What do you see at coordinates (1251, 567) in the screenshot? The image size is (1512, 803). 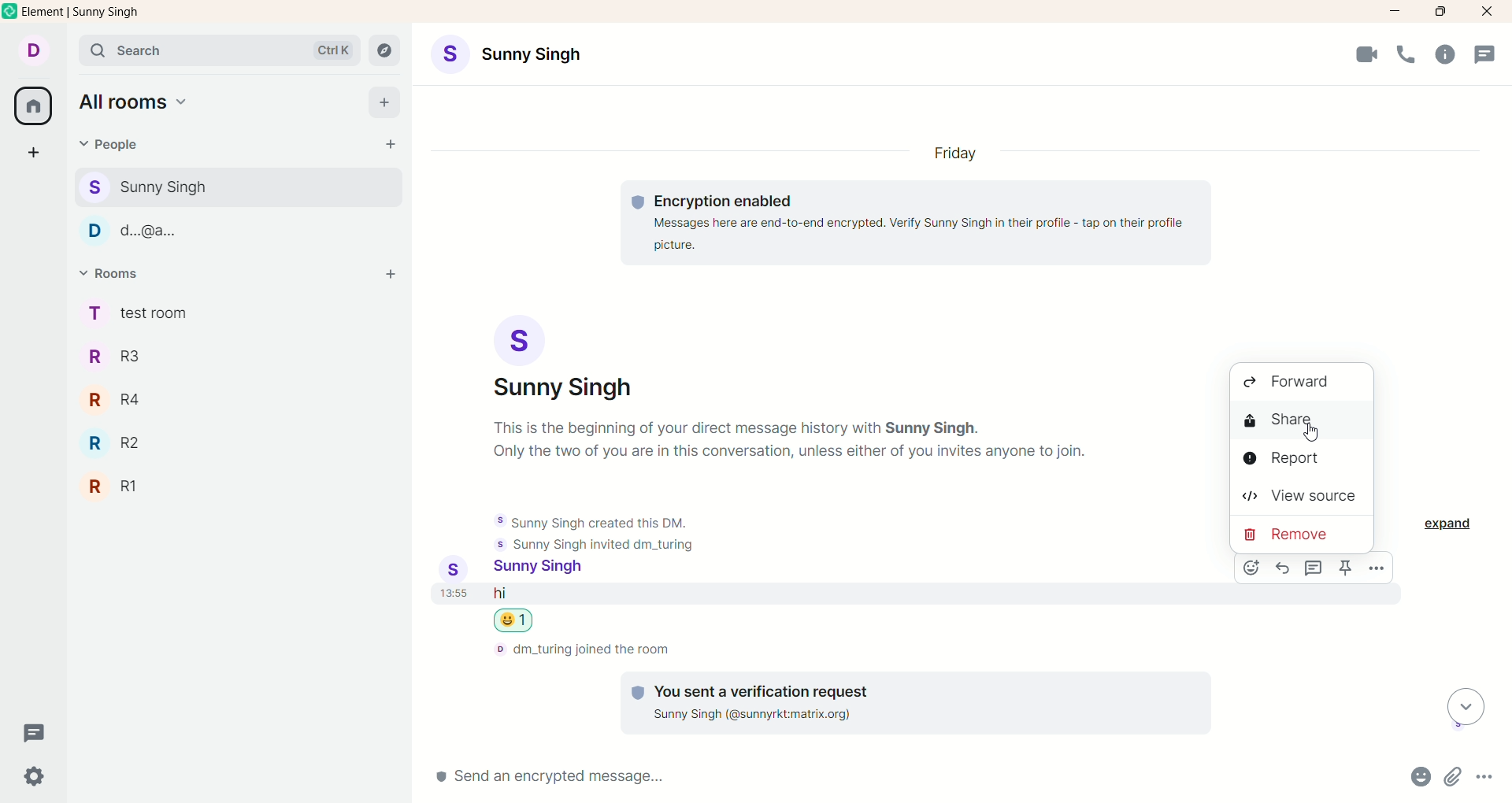 I see `emoji` at bounding box center [1251, 567].